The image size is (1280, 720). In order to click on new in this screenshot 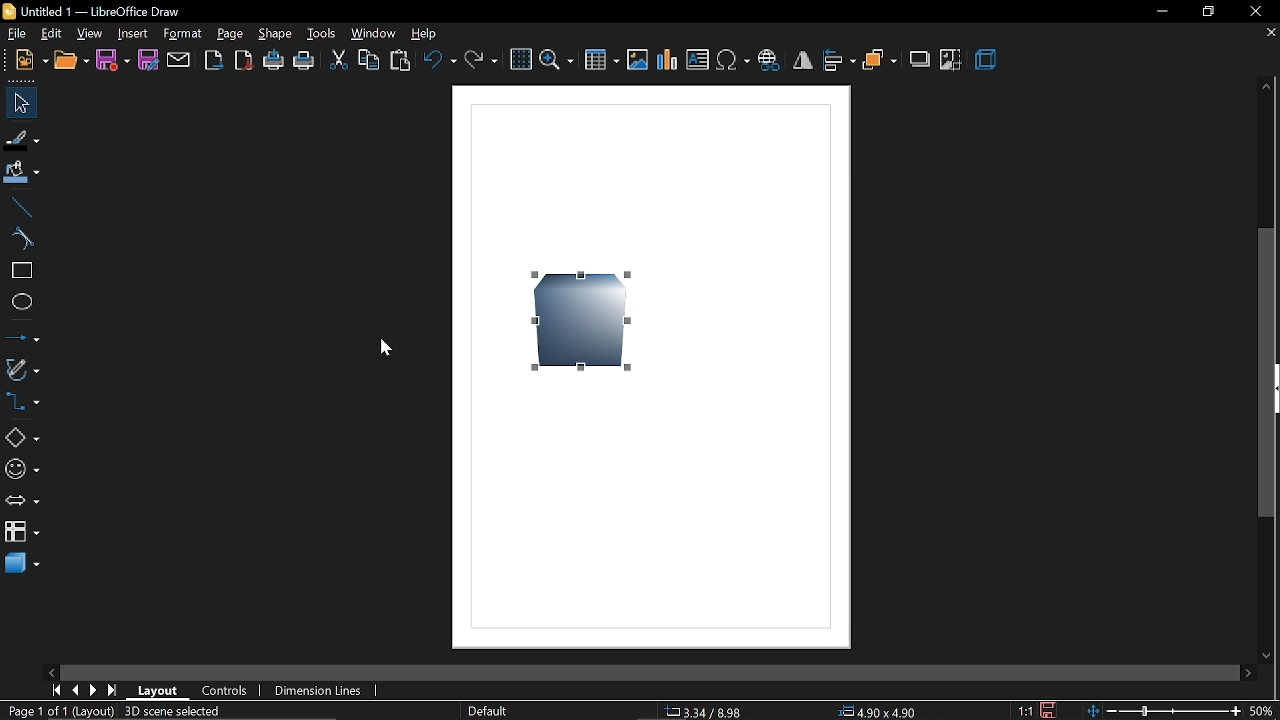, I will do `click(30, 61)`.